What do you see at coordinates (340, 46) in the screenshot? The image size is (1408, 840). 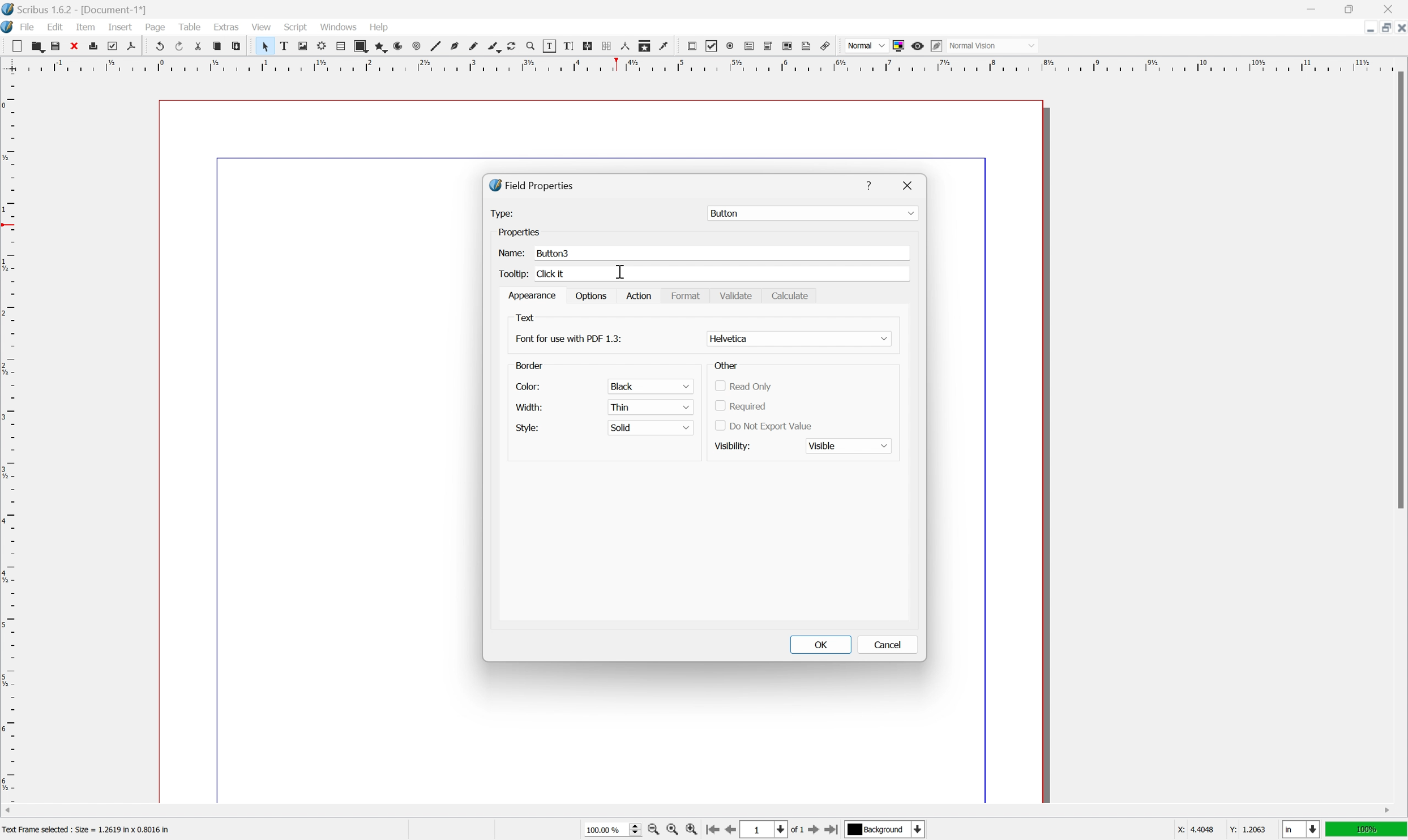 I see `table` at bounding box center [340, 46].